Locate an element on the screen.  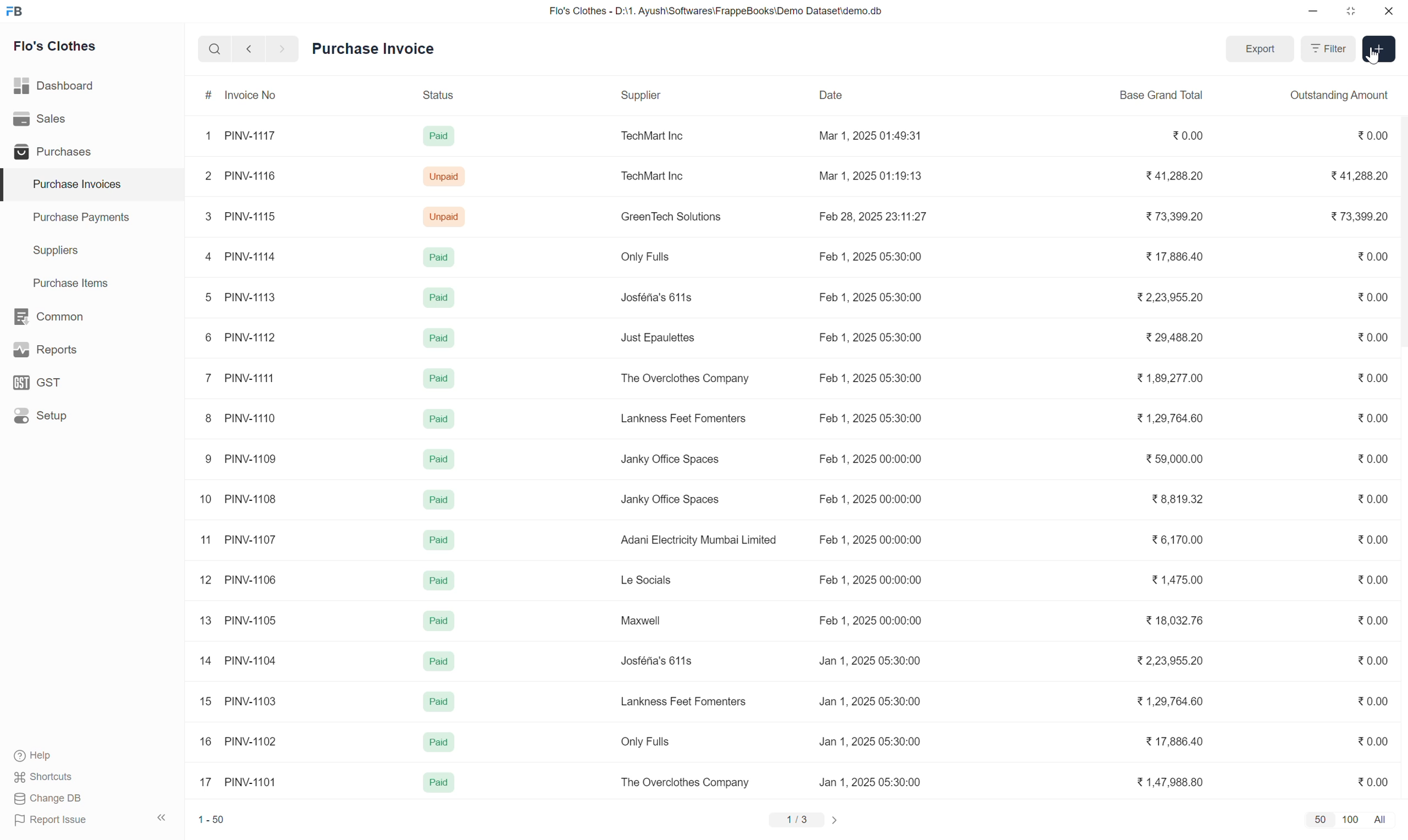
12 PINV-1106 is located at coordinates (239, 580).